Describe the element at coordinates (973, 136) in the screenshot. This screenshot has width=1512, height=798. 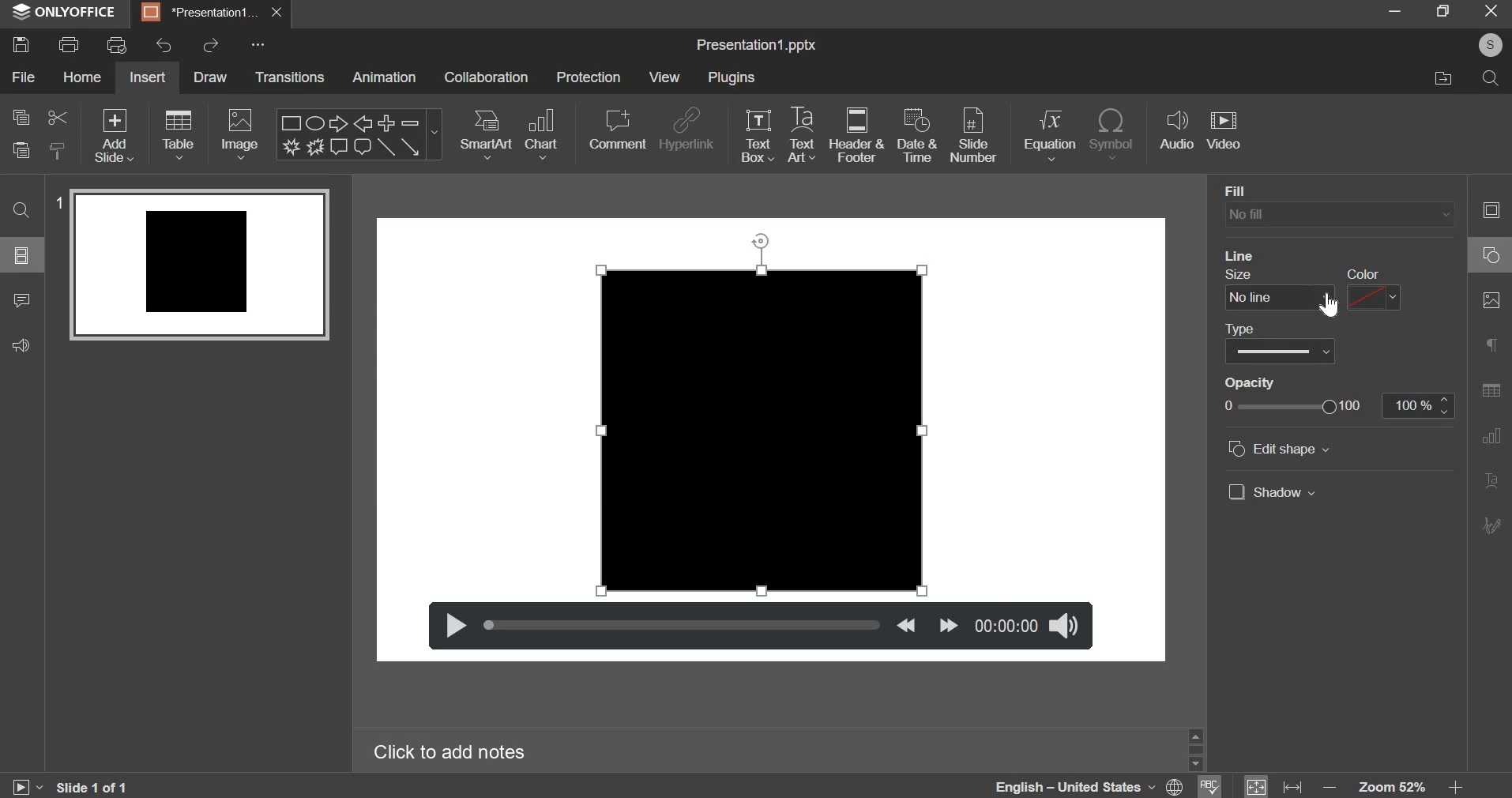
I see `slide number` at that location.